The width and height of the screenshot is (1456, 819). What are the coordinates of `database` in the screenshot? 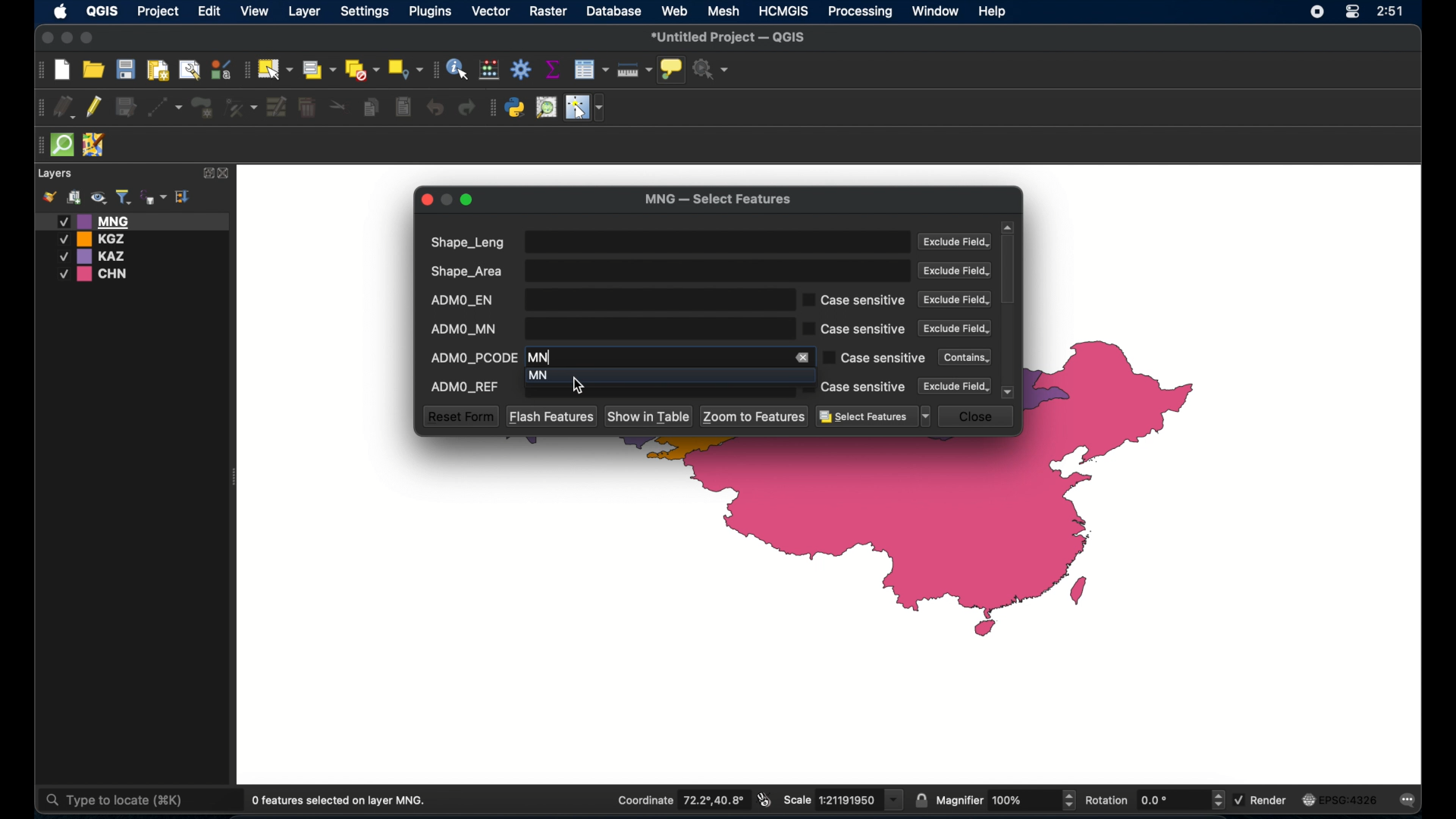 It's located at (613, 11).